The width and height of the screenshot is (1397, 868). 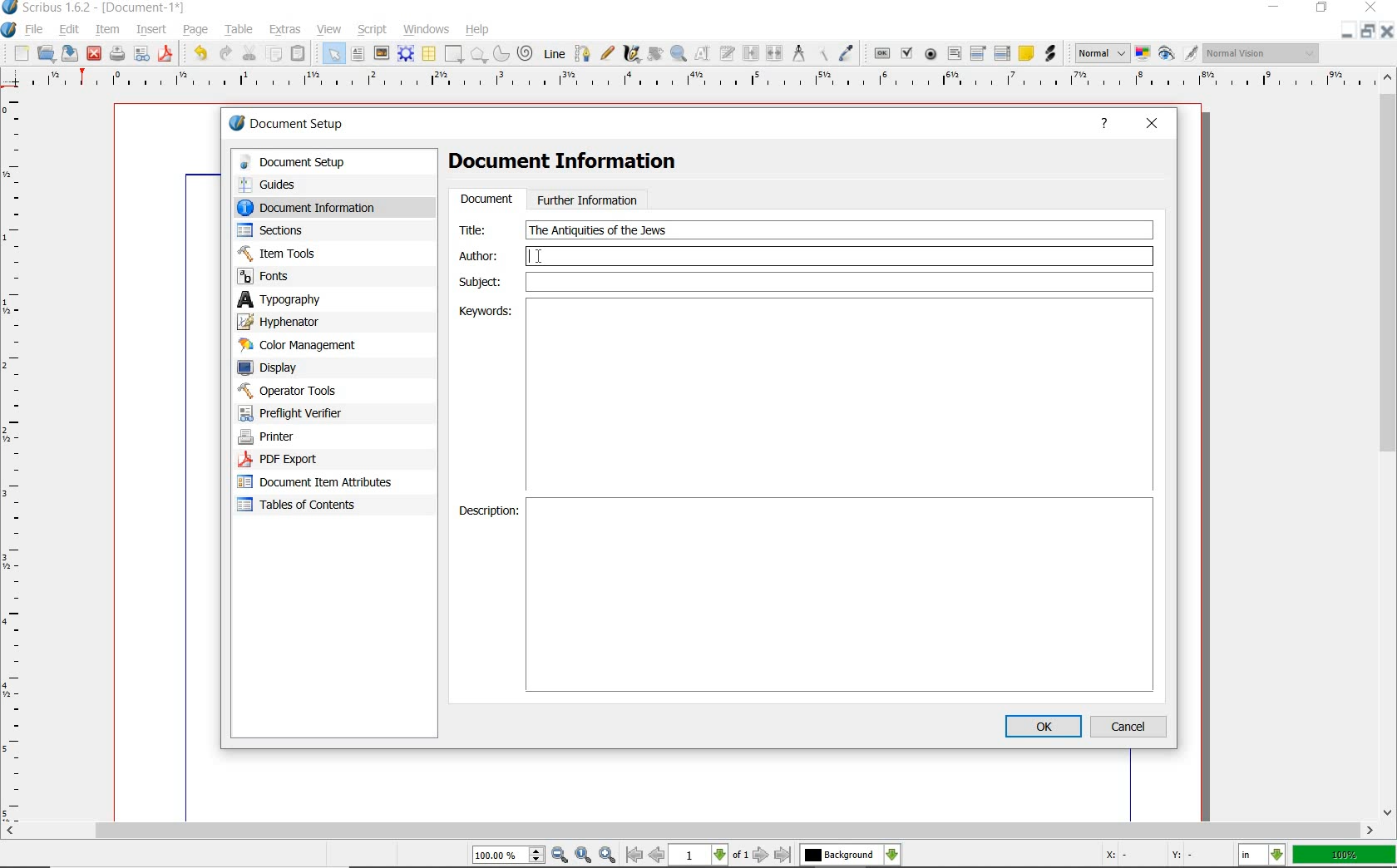 What do you see at coordinates (328, 29) in the screenshot?
I see `view` at bounding box center [328, 29].